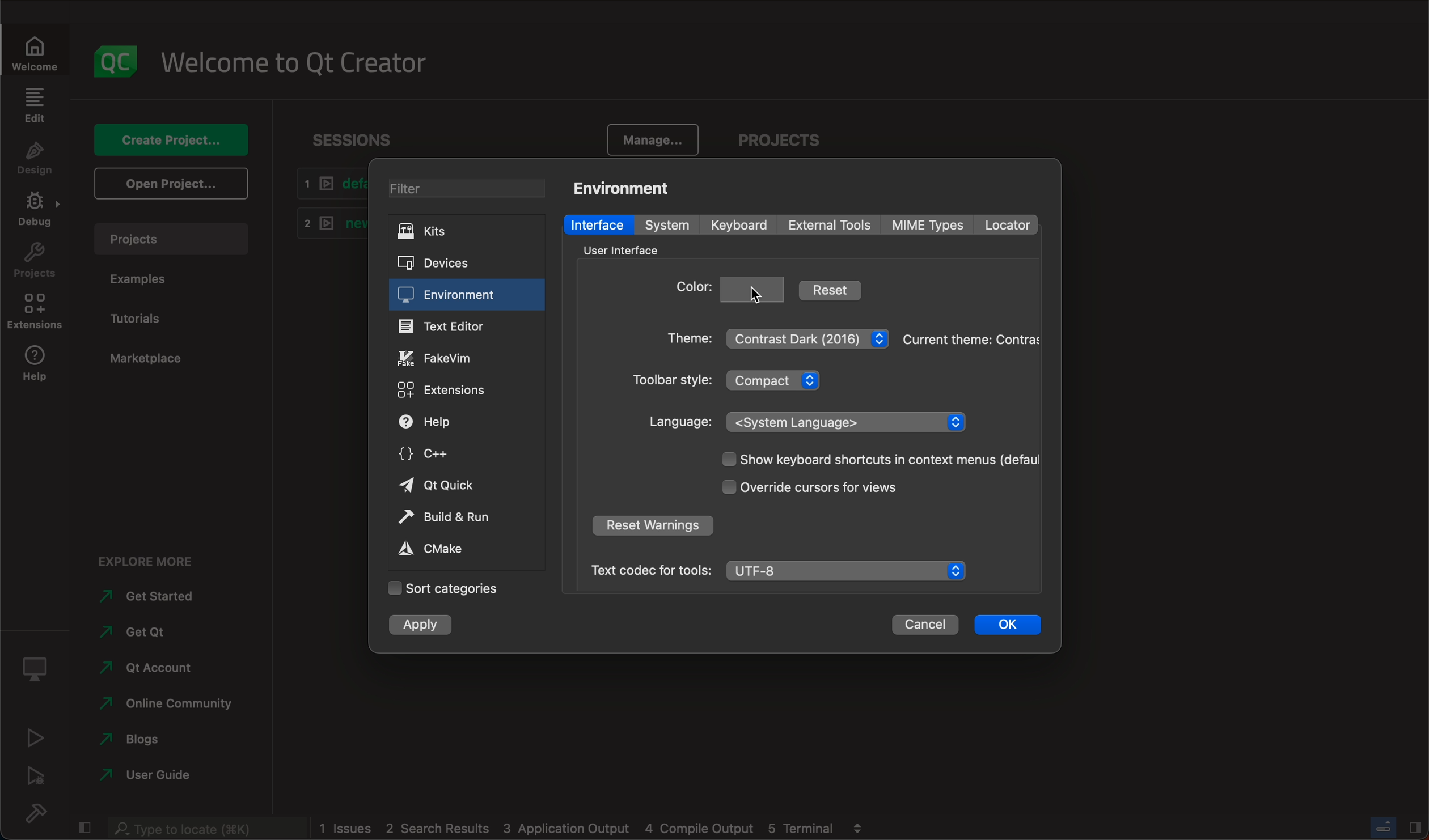 This screenshot has height=840, width=1429. Describe the element at coordinates (925, 625) in the screenshot. I see `cancel` at that location.